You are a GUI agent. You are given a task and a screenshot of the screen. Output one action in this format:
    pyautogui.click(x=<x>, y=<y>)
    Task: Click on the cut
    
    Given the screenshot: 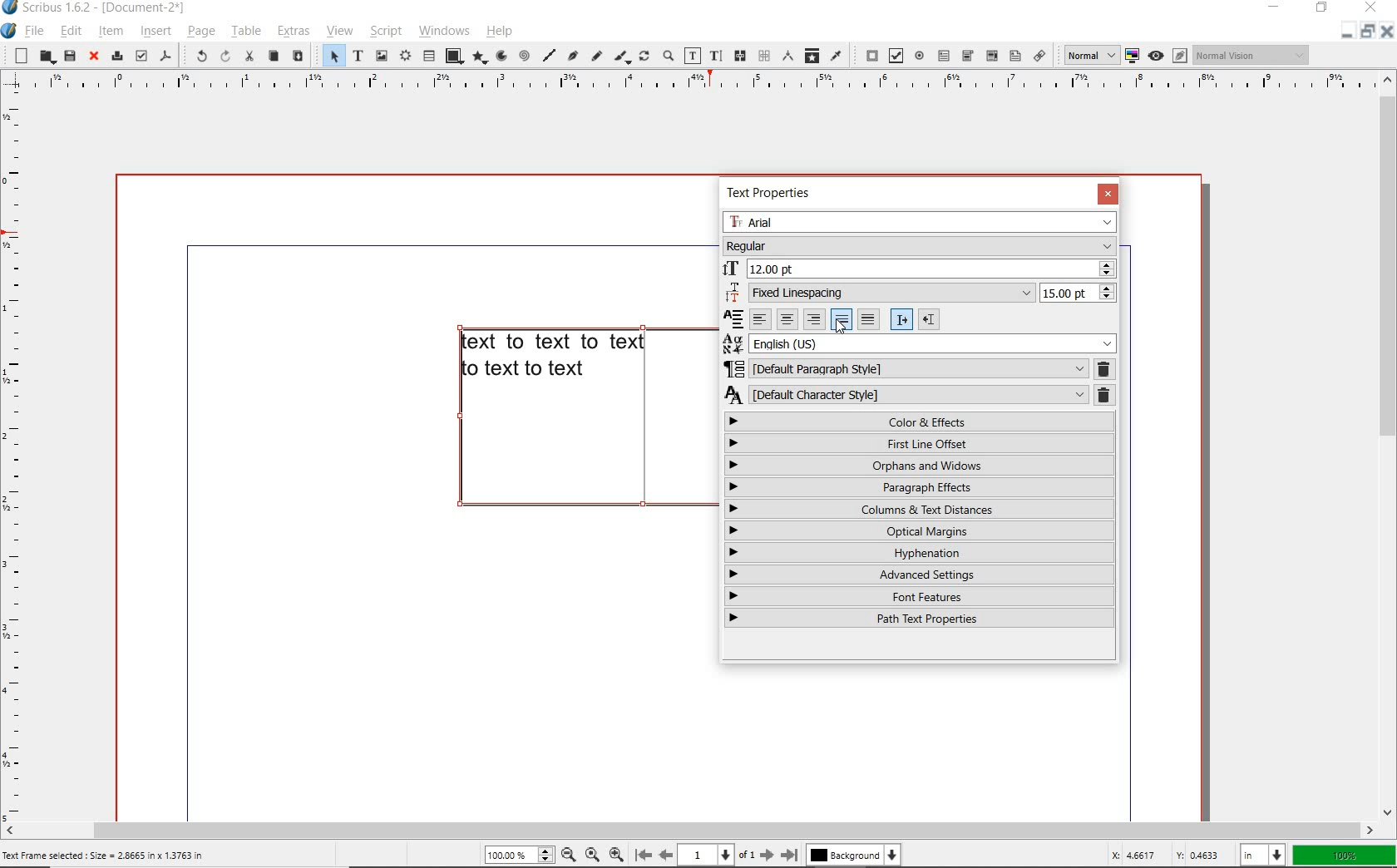 What is the action you would take?
    pyautogui.click(x=247, y=57)
    